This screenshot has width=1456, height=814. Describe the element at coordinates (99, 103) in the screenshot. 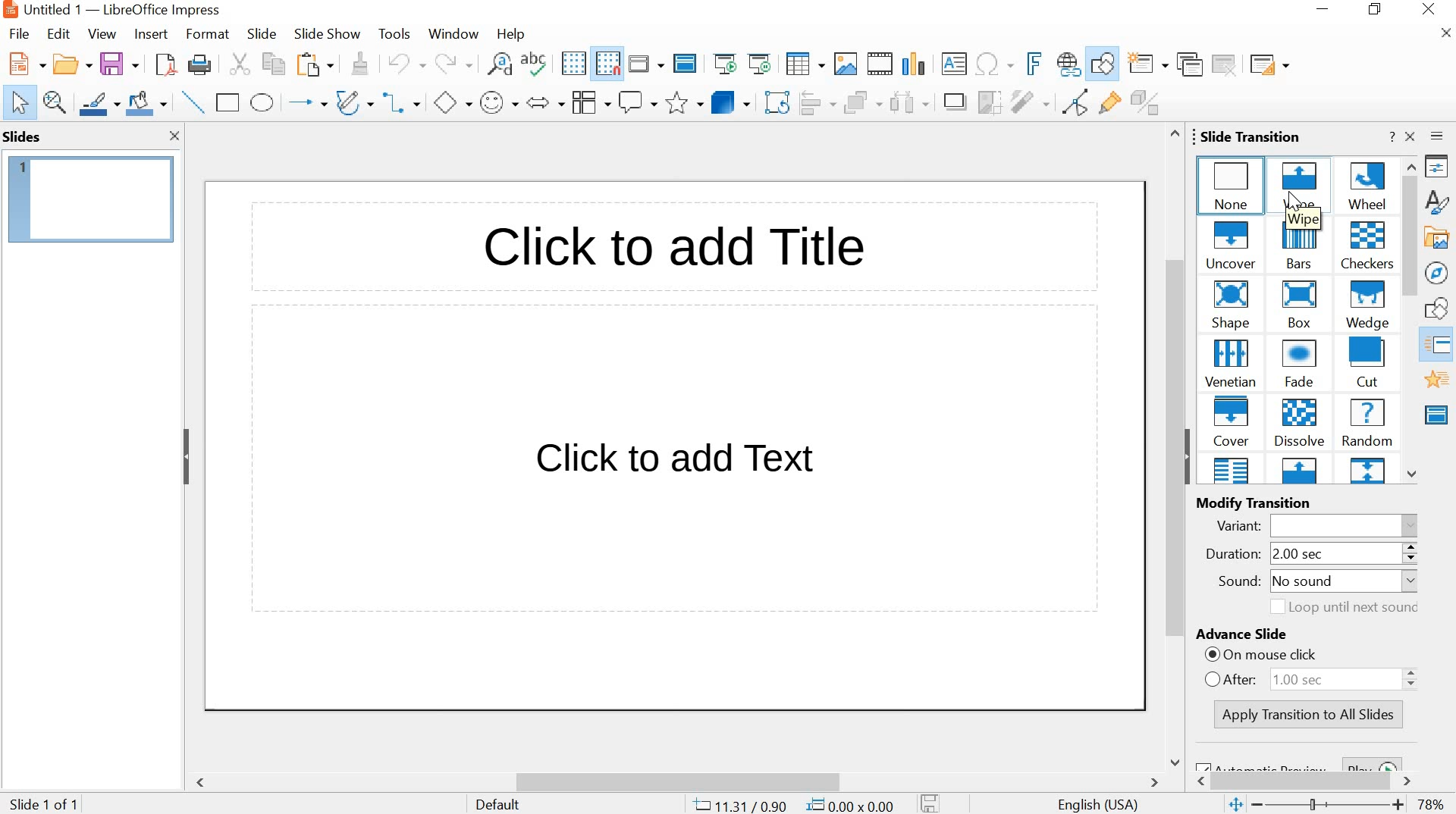

I see `Line color` at that location.